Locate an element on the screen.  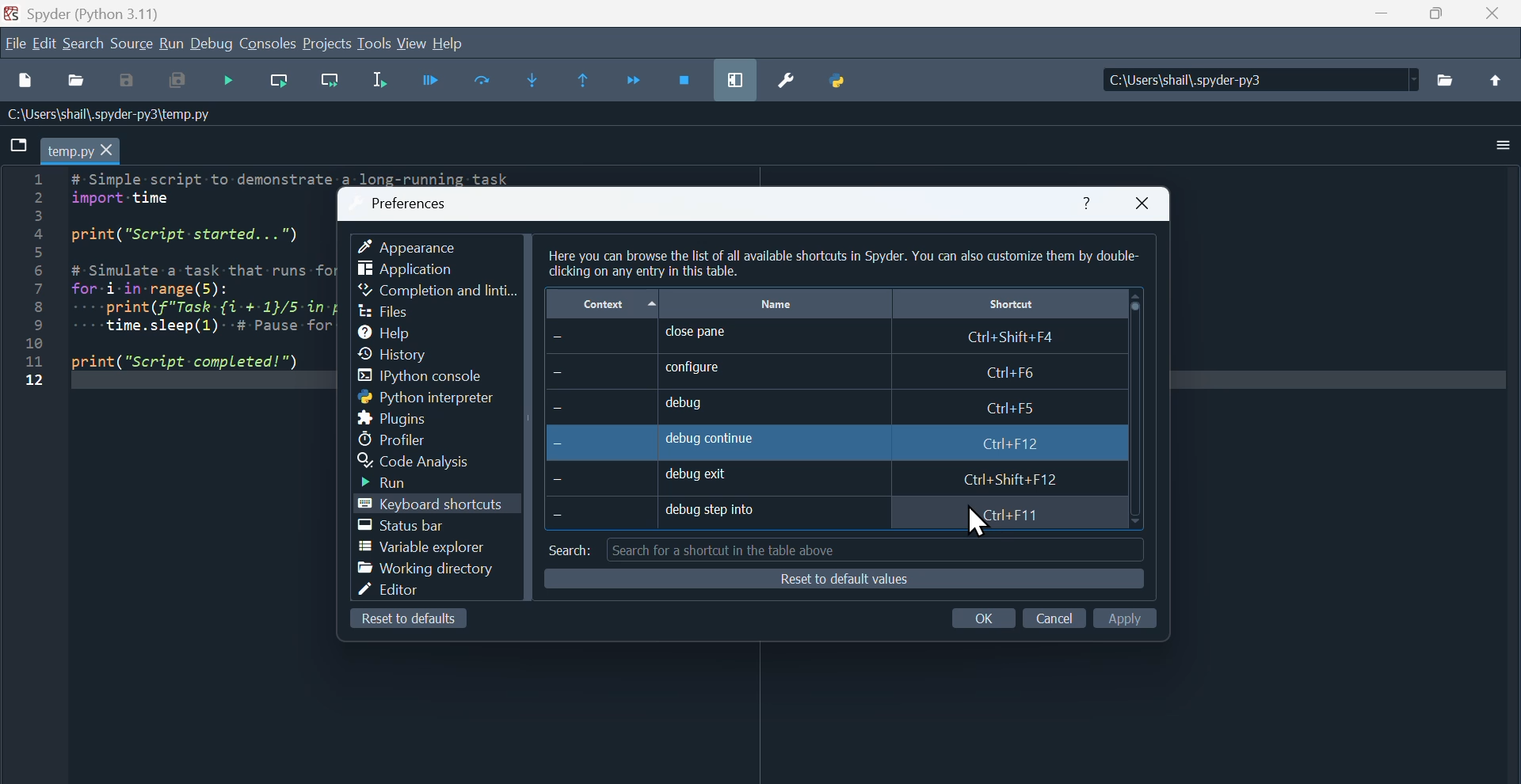
Preferences is located at coordinates (791, 80).